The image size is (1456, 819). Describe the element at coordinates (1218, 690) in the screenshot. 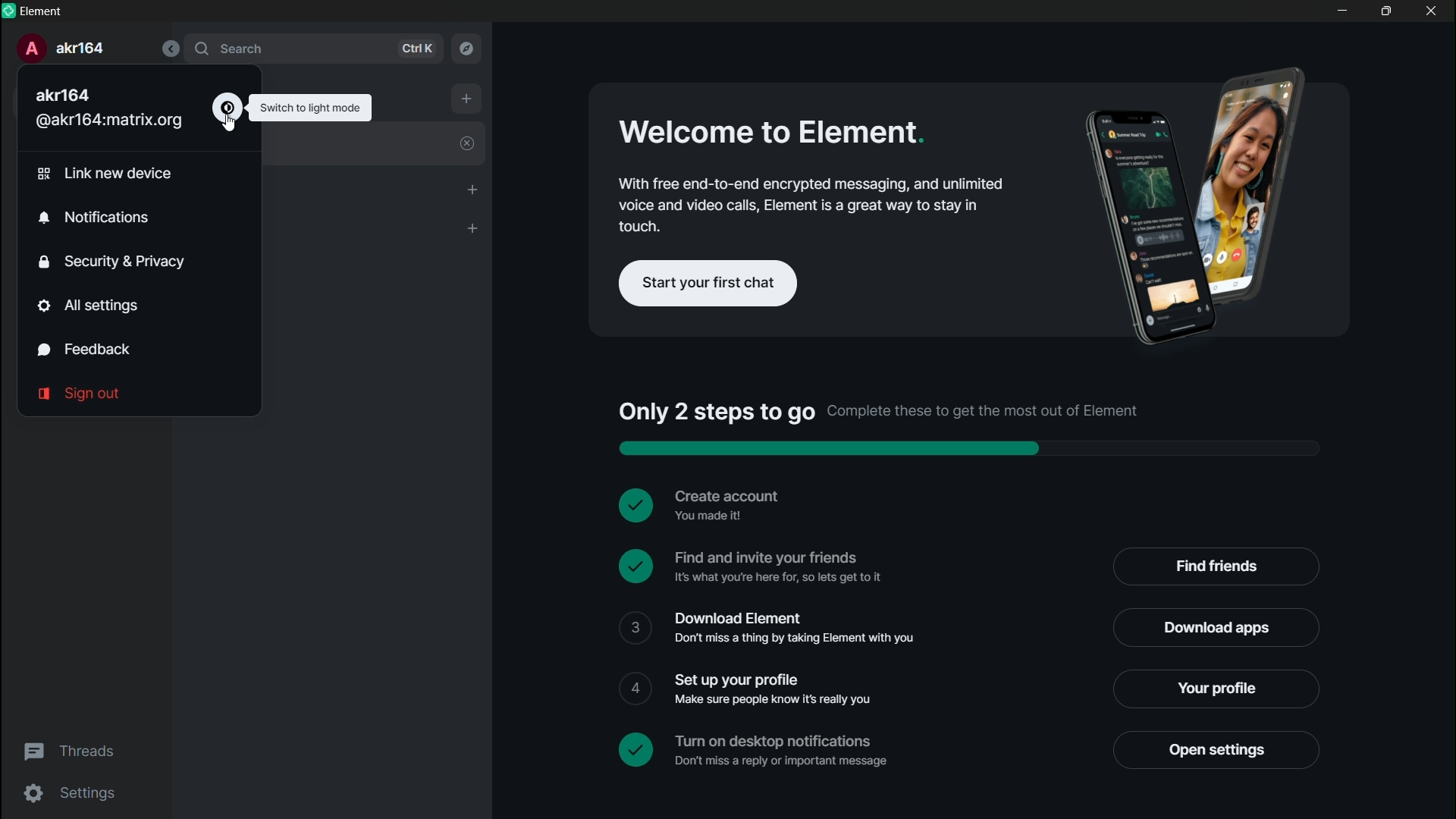

I see `your profile` at that location.